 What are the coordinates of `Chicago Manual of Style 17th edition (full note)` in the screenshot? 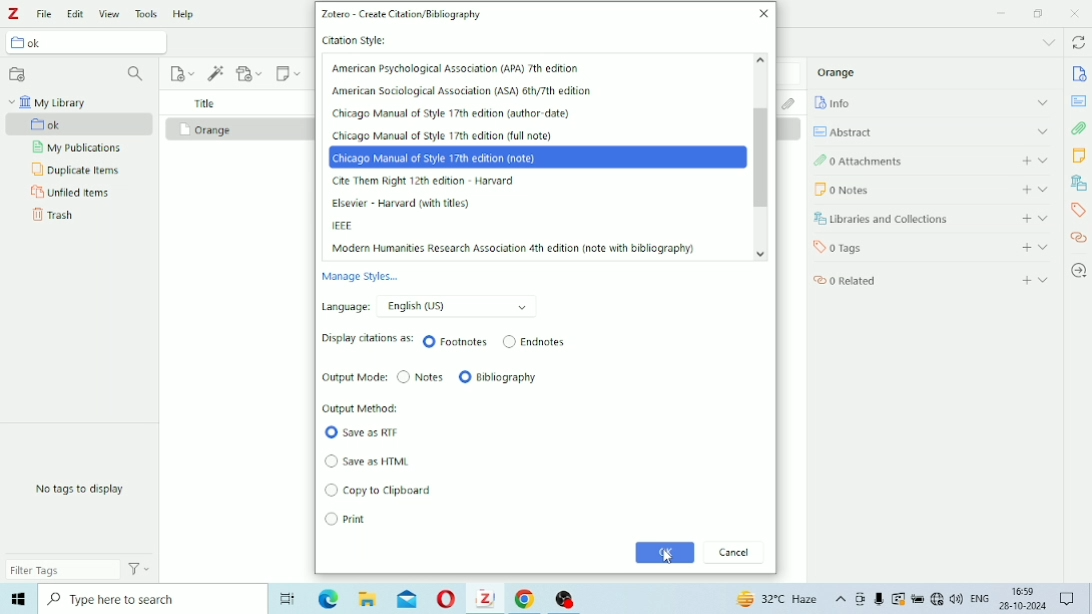 It's located at (444, 136).